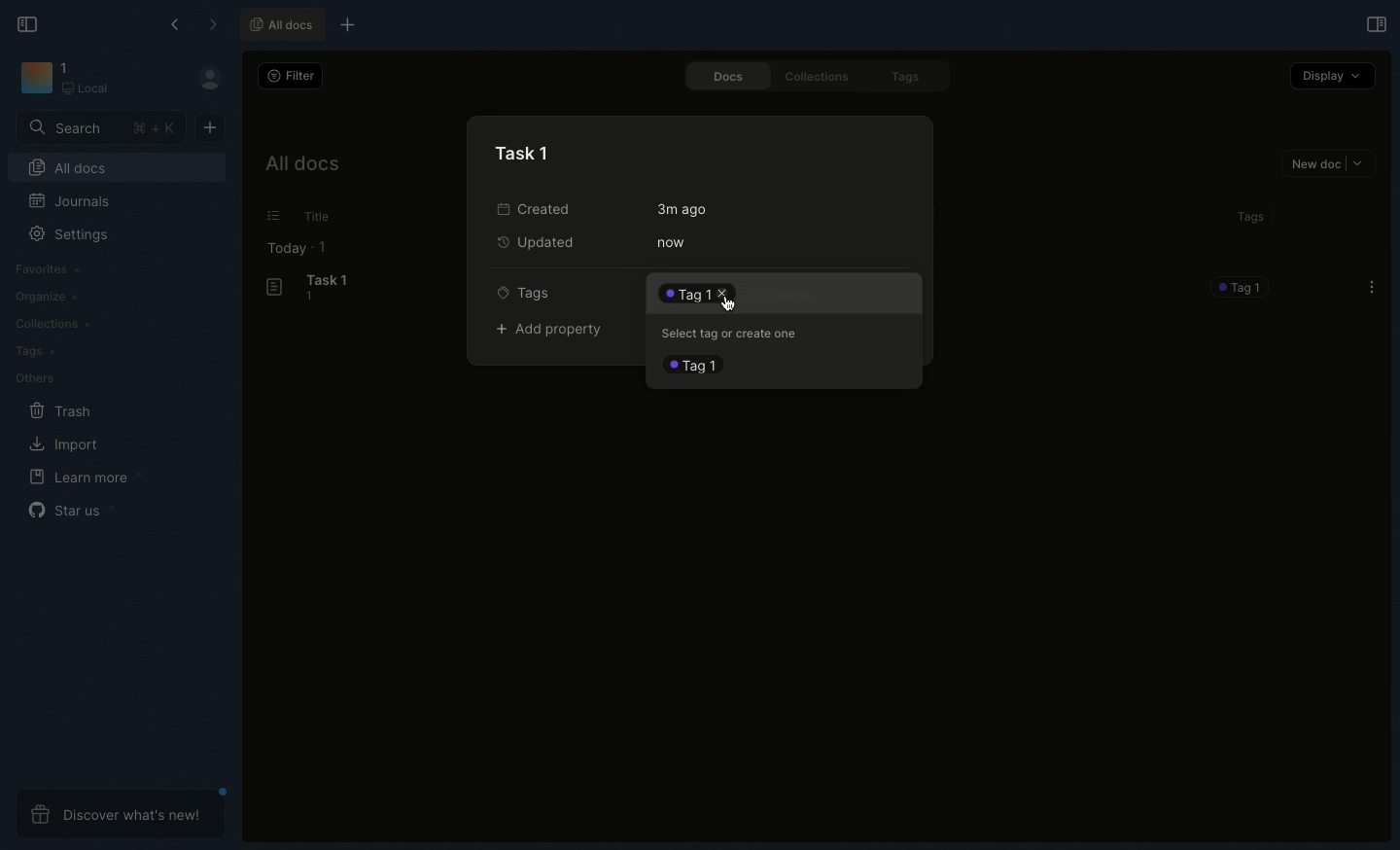 Image resolution: width=1400 pixels, height=850 pixels. What do you see at coordinates (303, 165) in the screenshot?
I see `All docs` at bounding box center [303, 165].